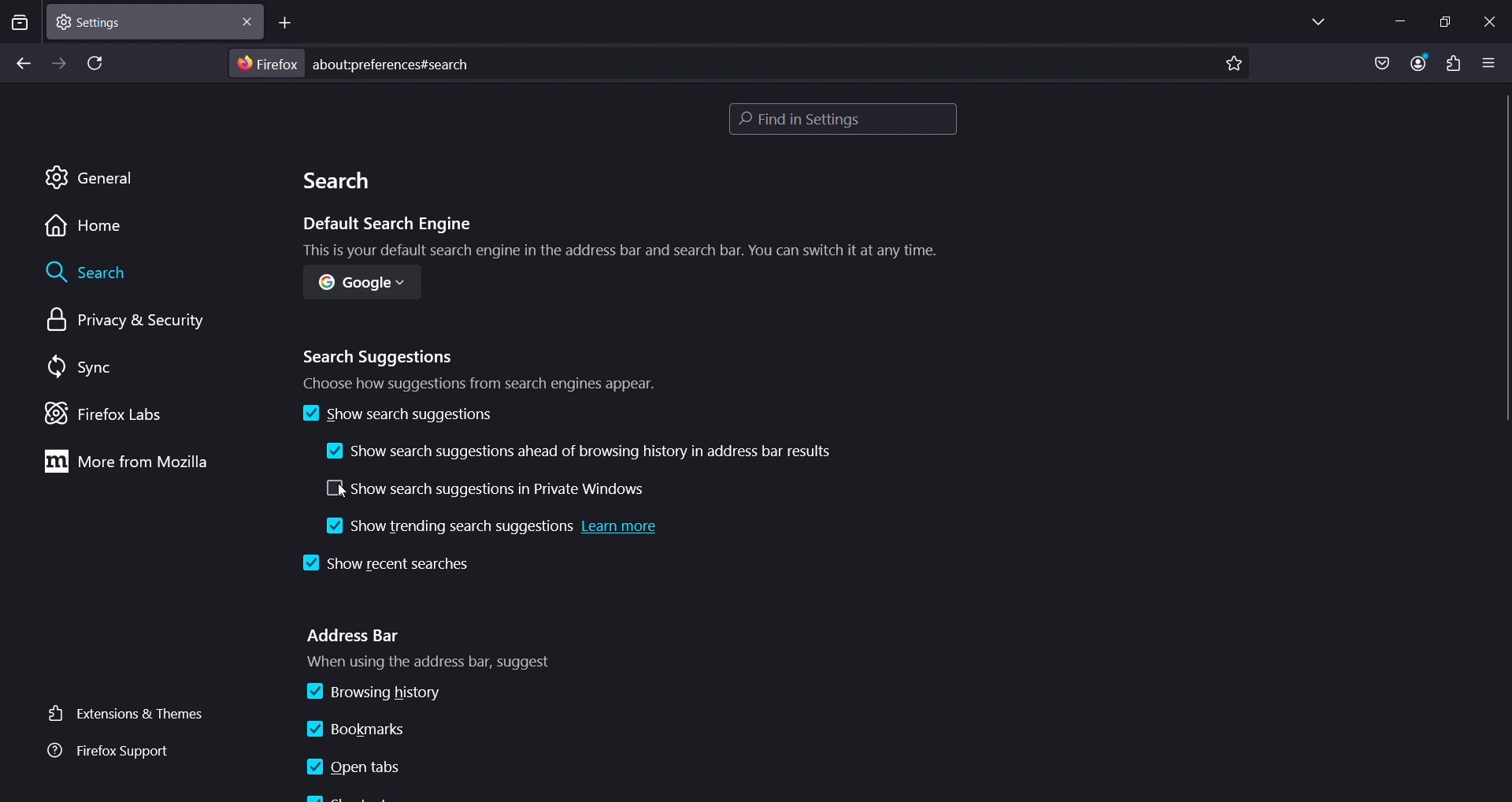 The image size is (1512, 802). I want to click on close, so click(1494, 21).